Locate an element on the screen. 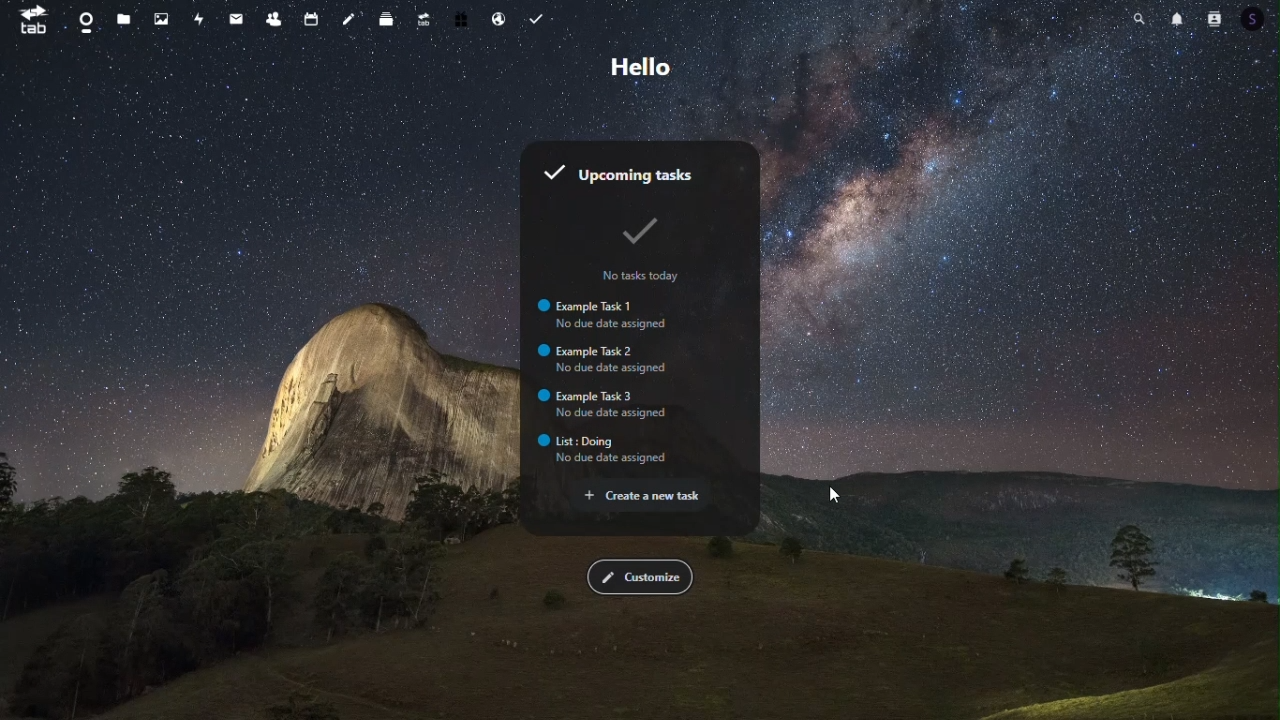 This screenshot has height=720, width=1280. No tasks today is located at coordinates (642, 250).